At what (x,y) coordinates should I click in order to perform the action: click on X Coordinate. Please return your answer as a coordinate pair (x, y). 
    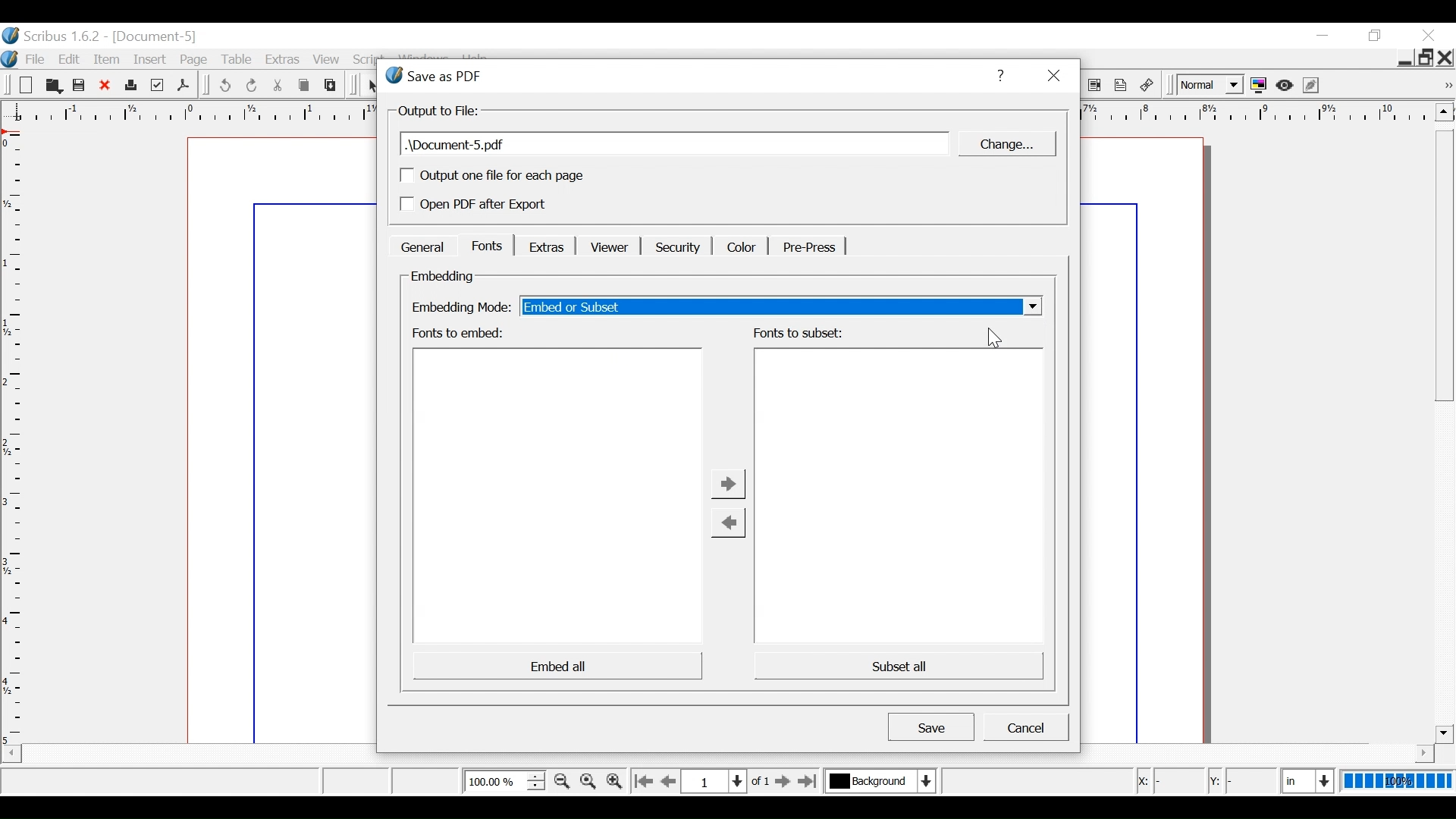
    Looking at the image, I should click on (1168, 781).